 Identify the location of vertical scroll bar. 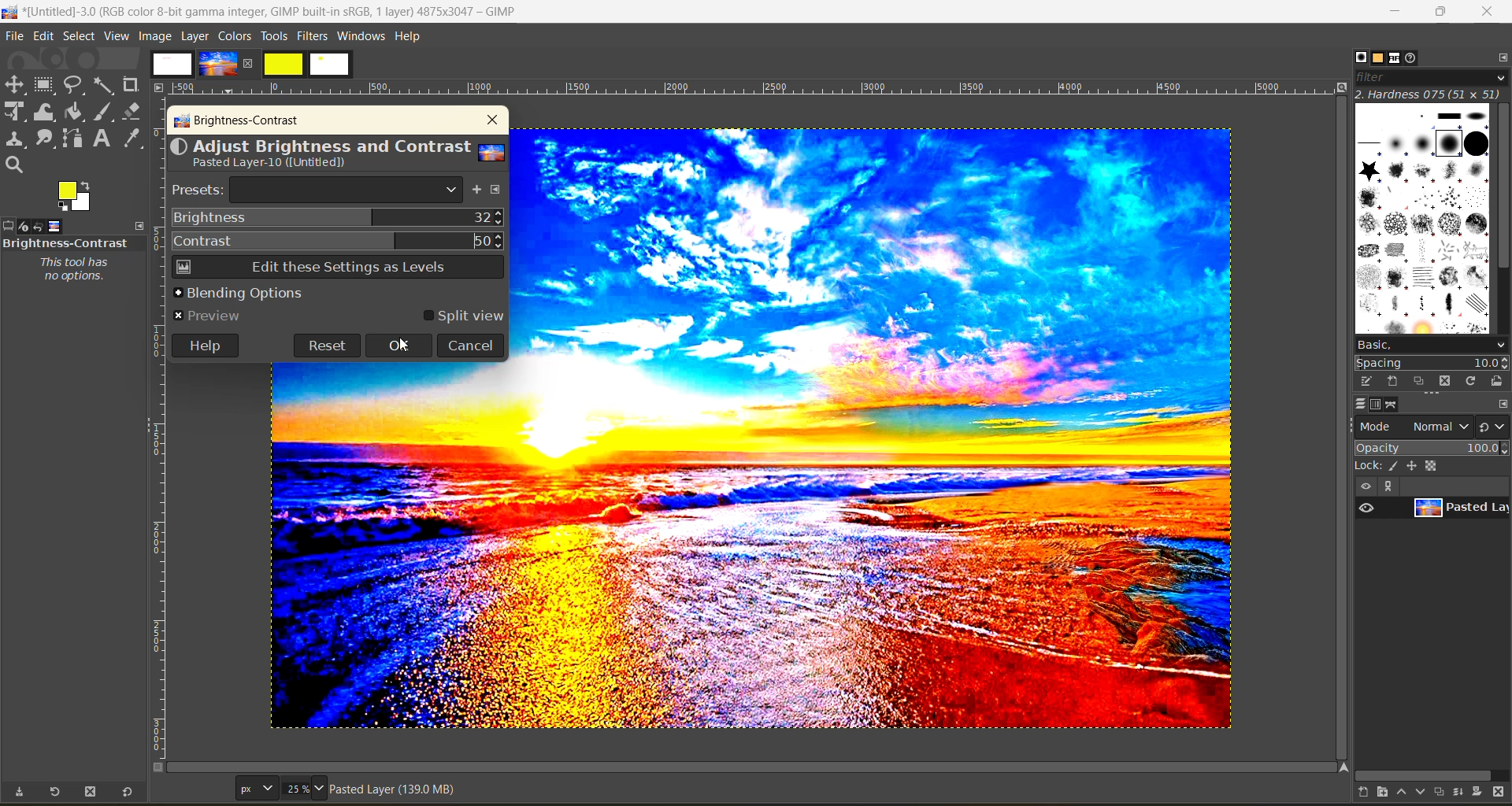
(1503, 190).